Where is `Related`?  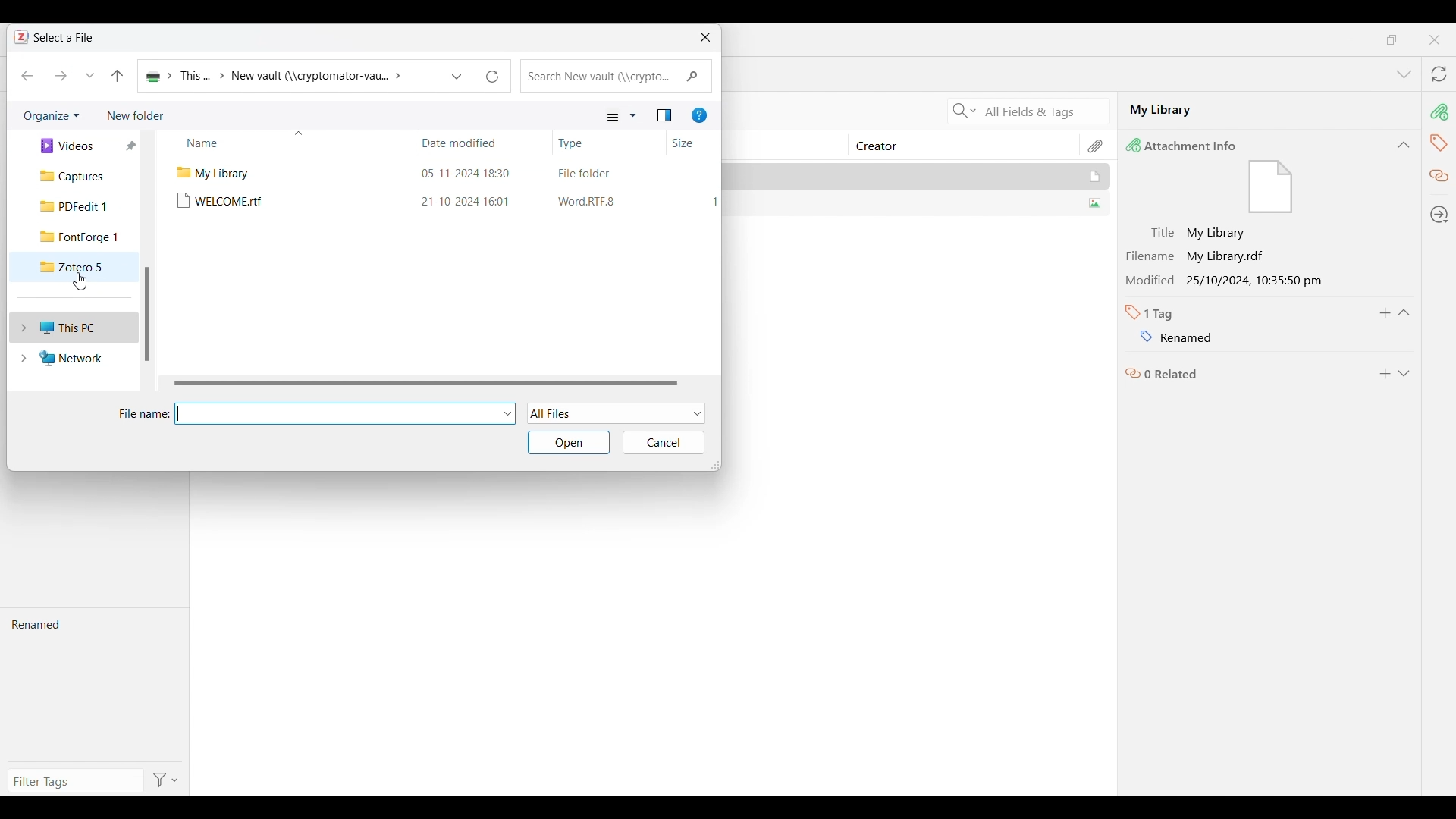
Related is located at coordinates (1440, 177).